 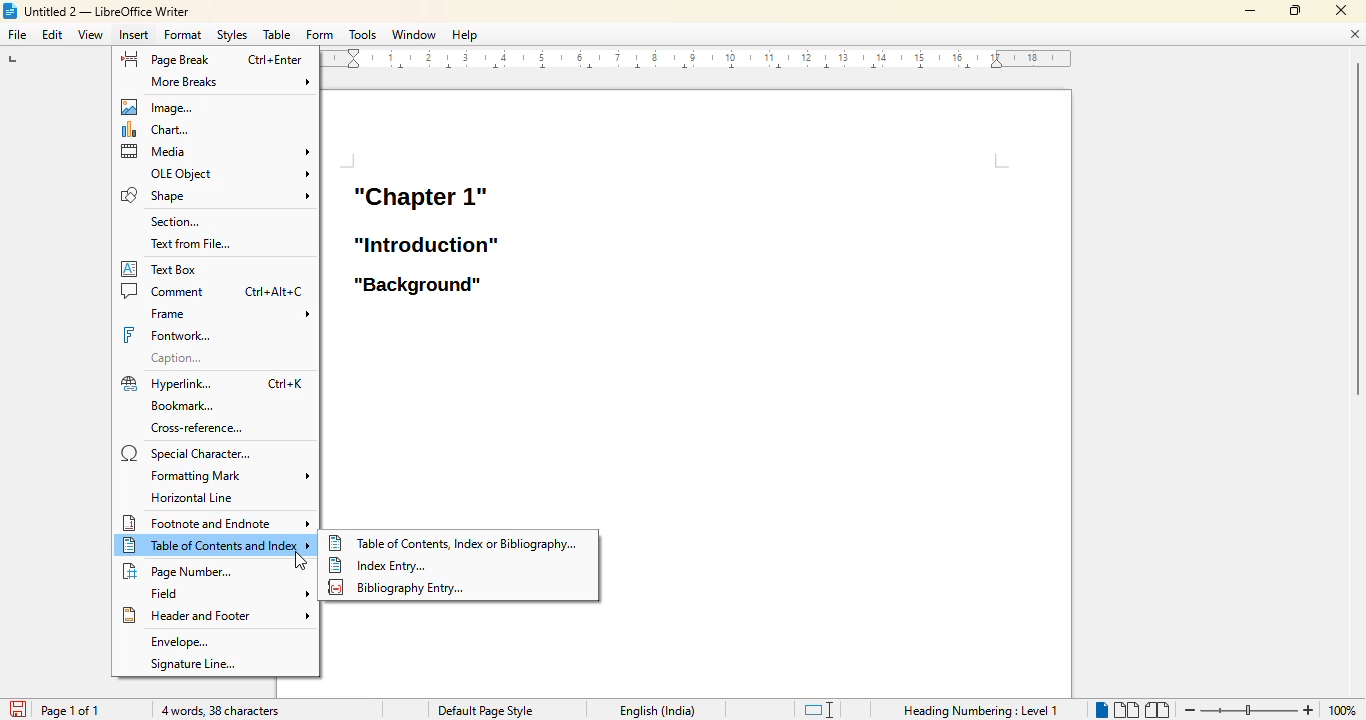 What do you see at coordinates (277, 34) in the screenshot?
I see `table` at bounding box center [277, 34].